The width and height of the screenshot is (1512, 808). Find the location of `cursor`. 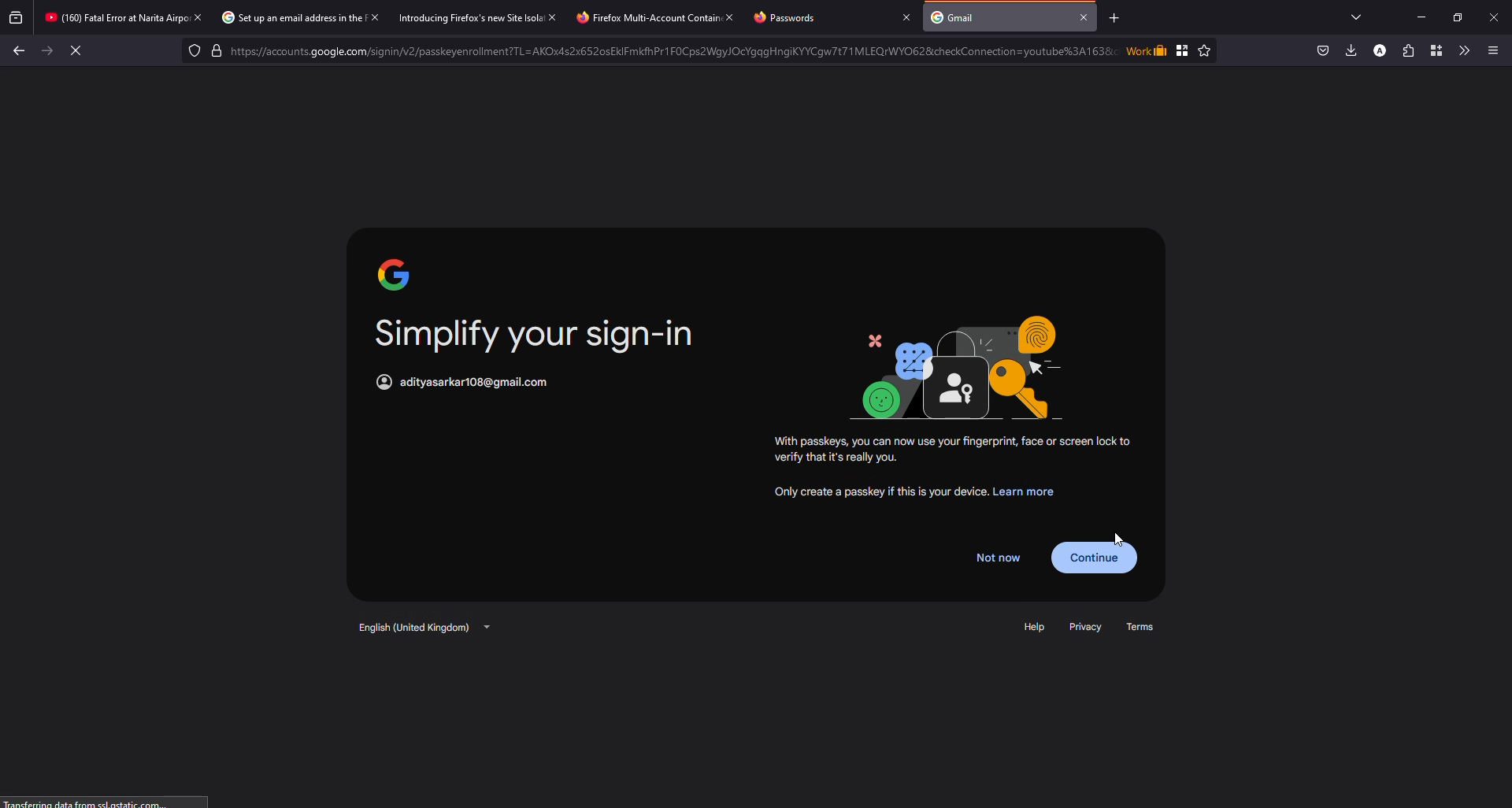

cursor is located at coordinates (1117, 533).